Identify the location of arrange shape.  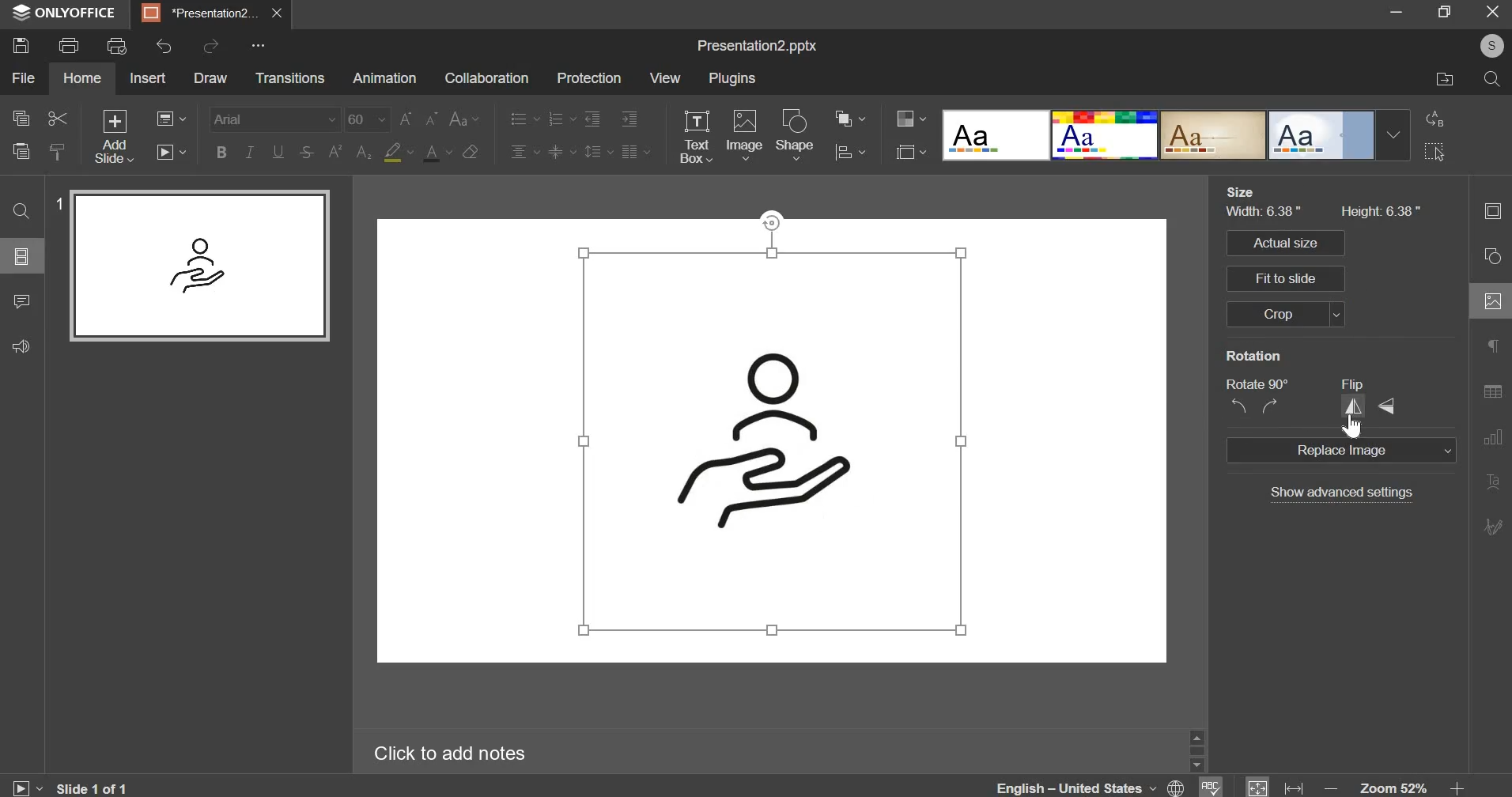
(852, 116).